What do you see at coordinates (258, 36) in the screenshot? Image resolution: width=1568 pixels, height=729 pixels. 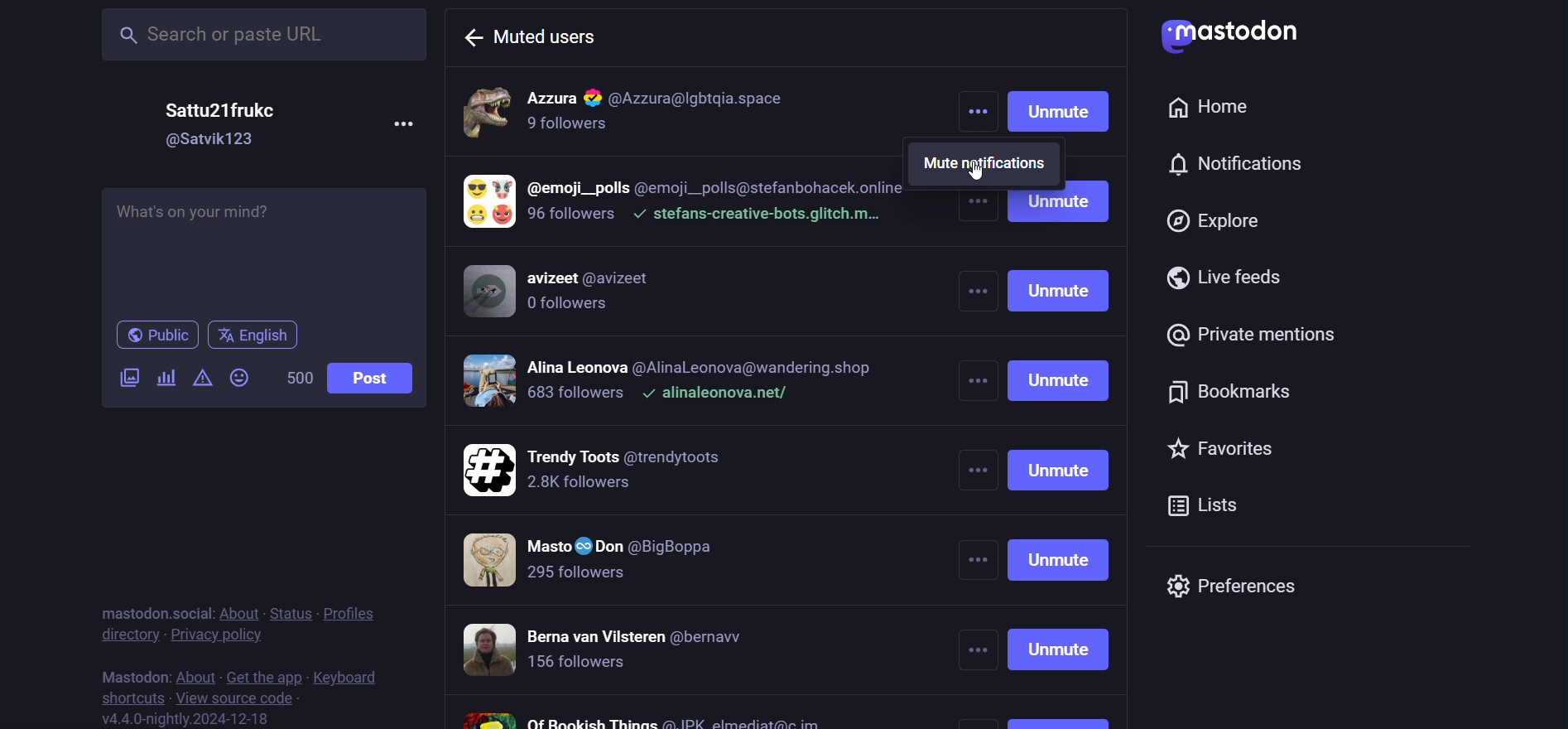 I see `search` at bounding box center [258, 36].